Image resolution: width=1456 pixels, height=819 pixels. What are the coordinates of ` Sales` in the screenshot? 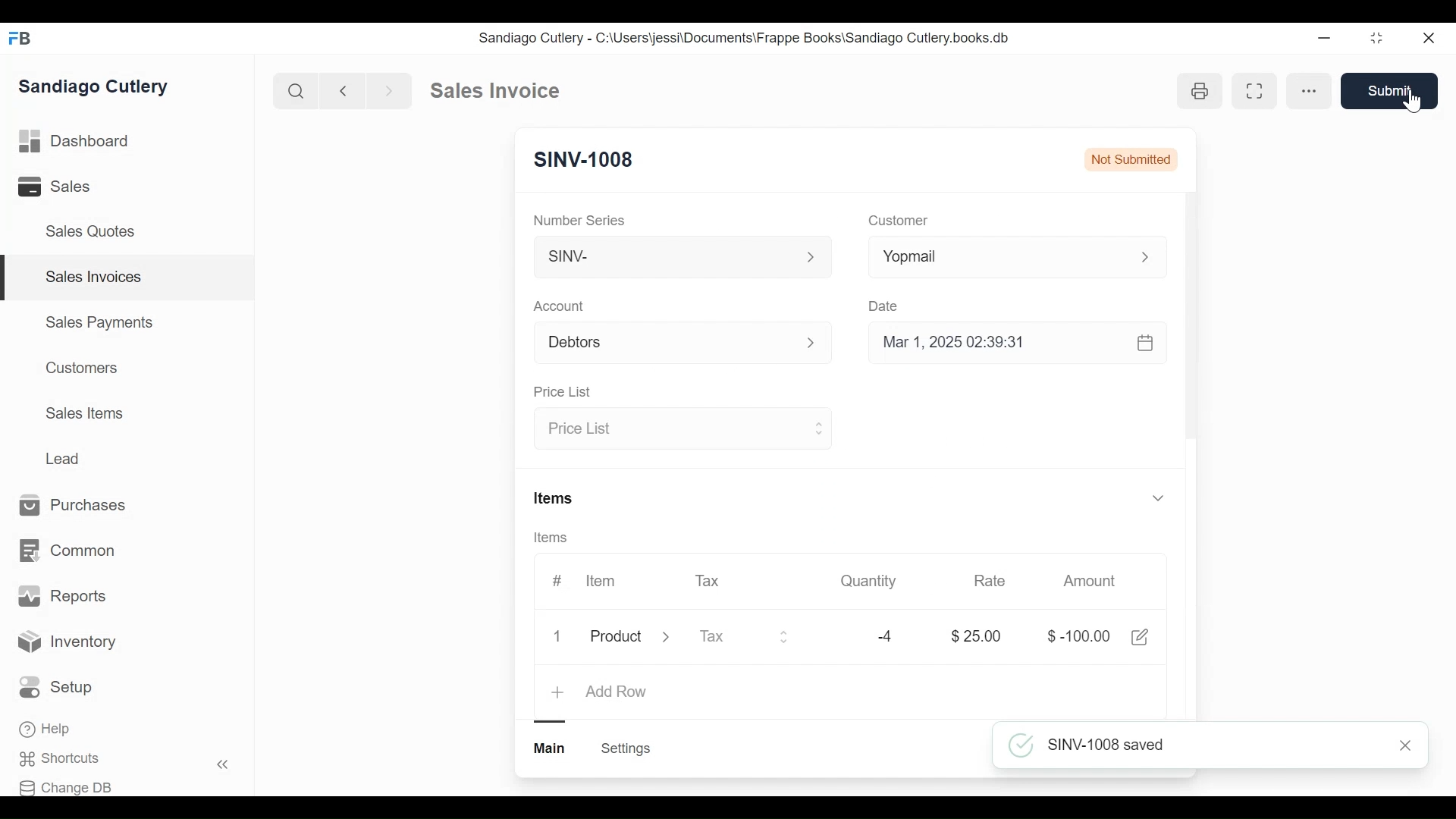 It's located at (52, 186).